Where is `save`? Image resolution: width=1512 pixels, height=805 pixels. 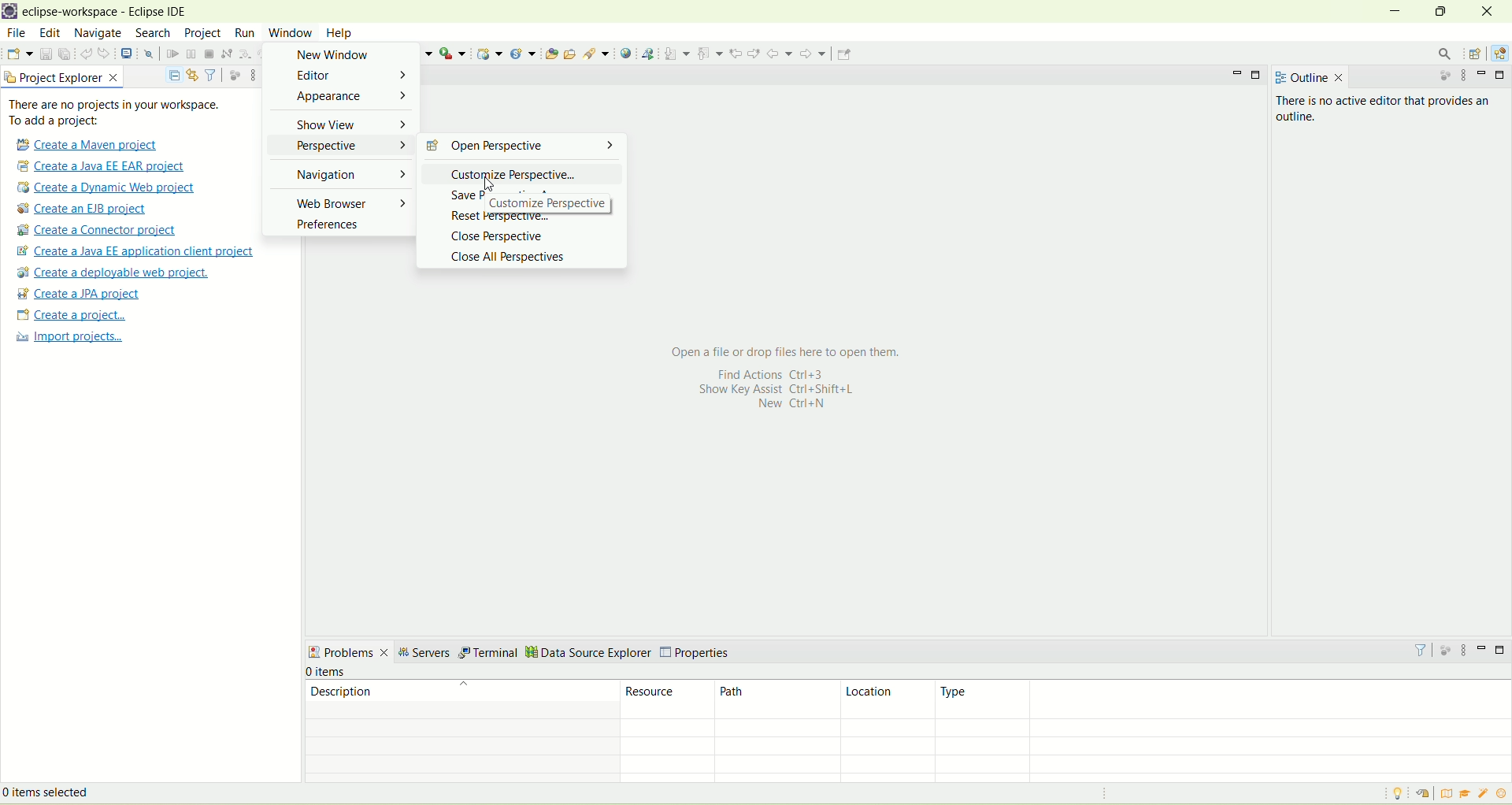
save is located at coordinates (44, 54).